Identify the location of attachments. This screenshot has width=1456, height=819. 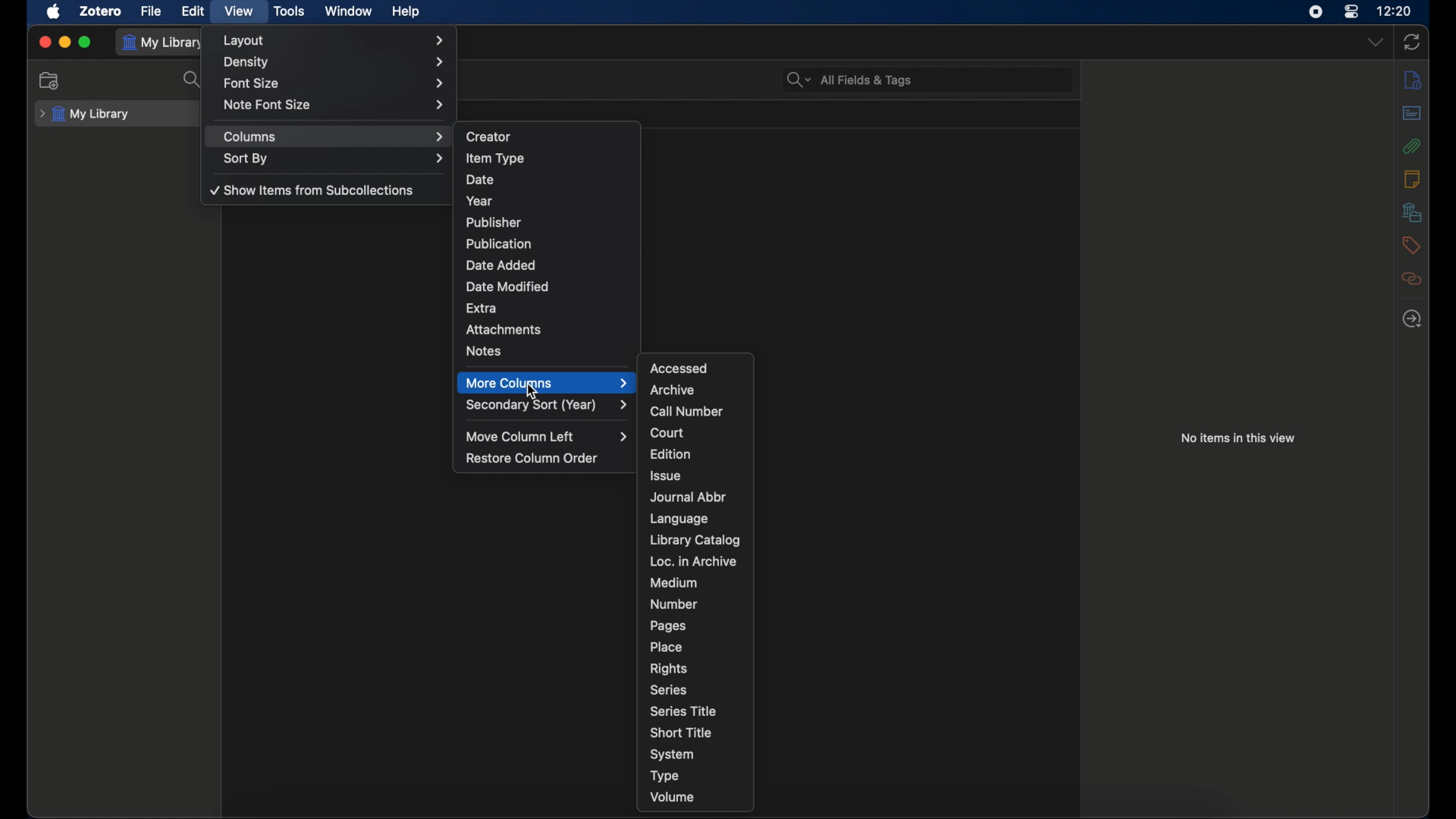
(504, 328).